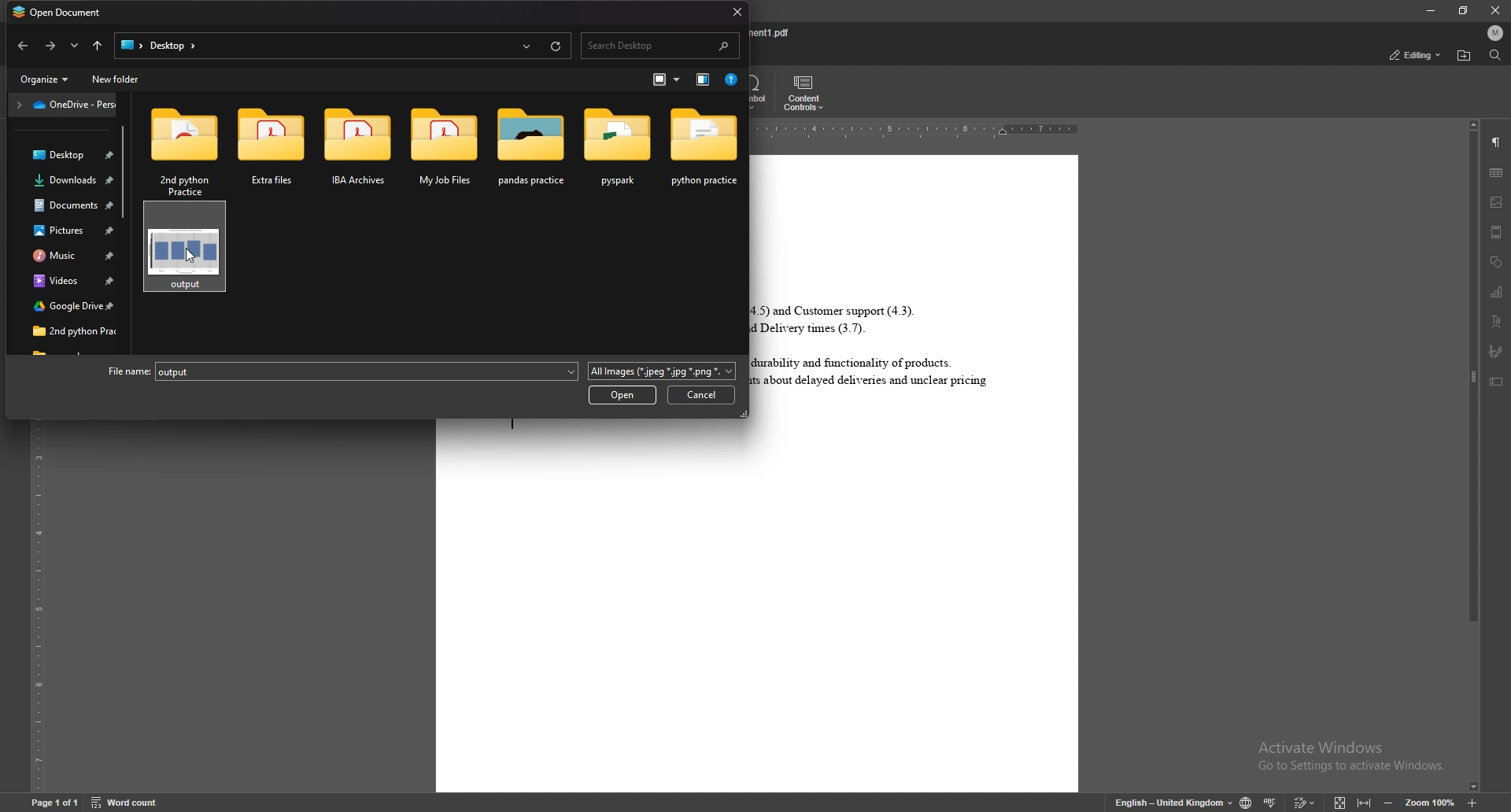 The height and width of the screenshot is (812, 1511). What do you see at coordinates (731, 80) in the screenshot?
I see `help` at bounding box center [731, 80].